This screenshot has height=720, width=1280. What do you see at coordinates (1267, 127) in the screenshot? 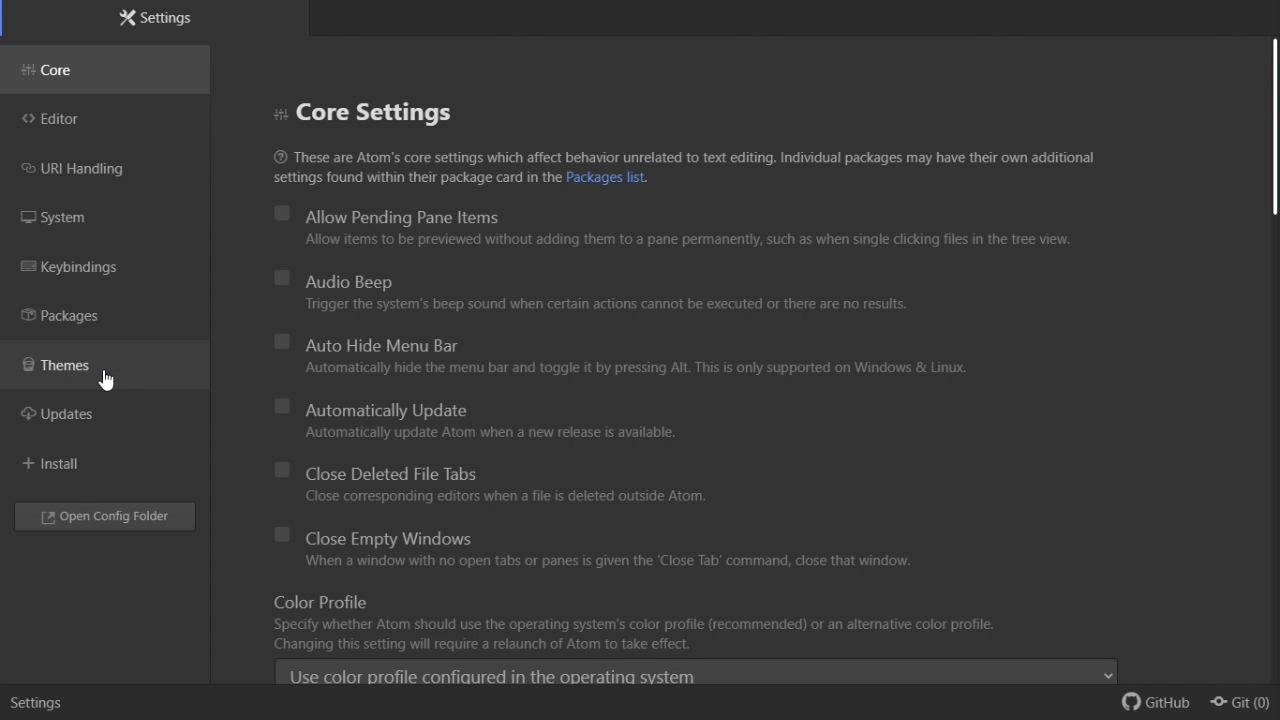
I see `scroll bar` at bounding box center [1267, 127].